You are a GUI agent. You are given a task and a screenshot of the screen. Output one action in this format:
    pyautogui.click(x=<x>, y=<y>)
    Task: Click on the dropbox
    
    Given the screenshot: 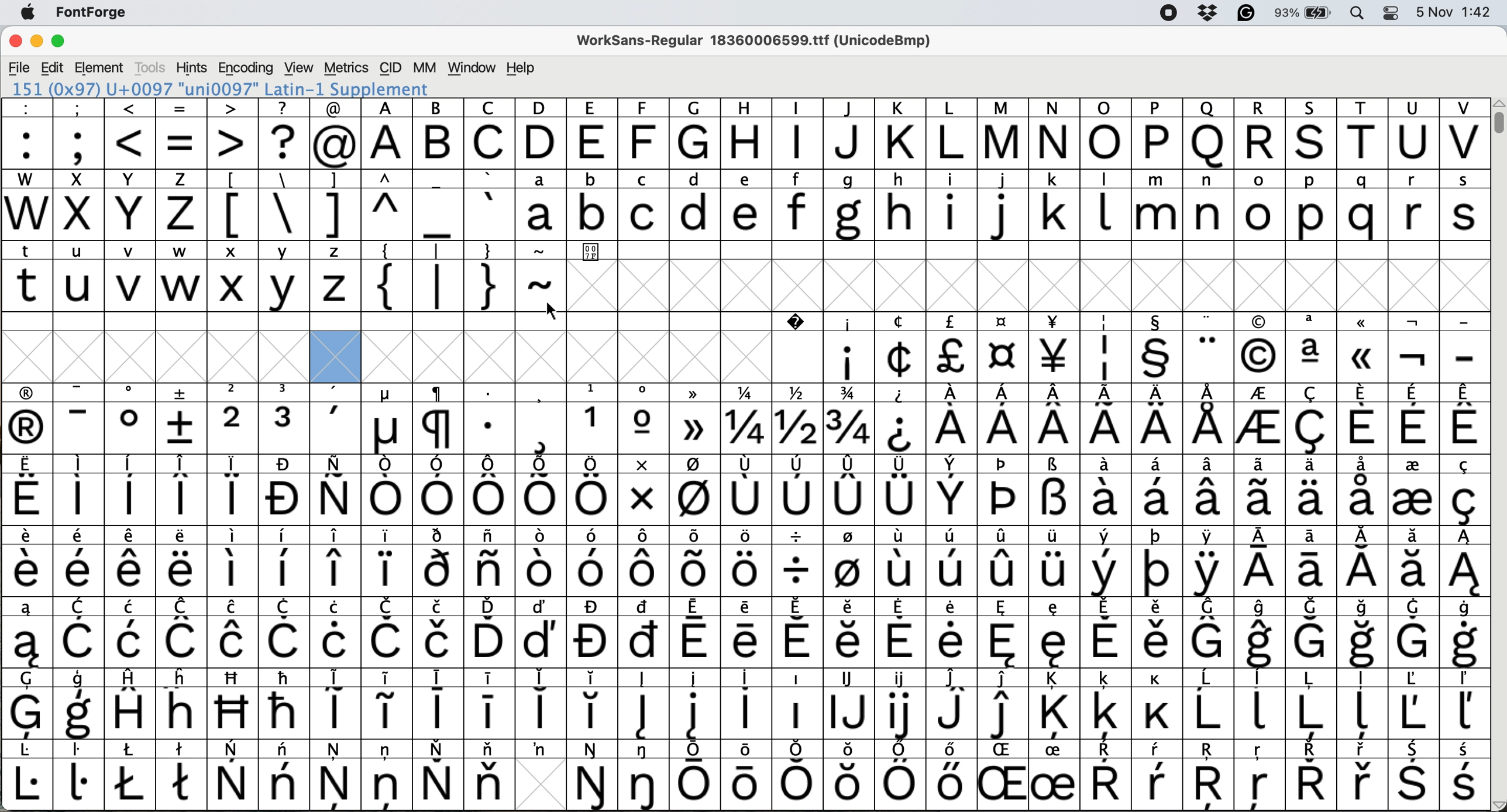 What is the action you would take?
    pyautogui.click(x=1204, y=13)
    